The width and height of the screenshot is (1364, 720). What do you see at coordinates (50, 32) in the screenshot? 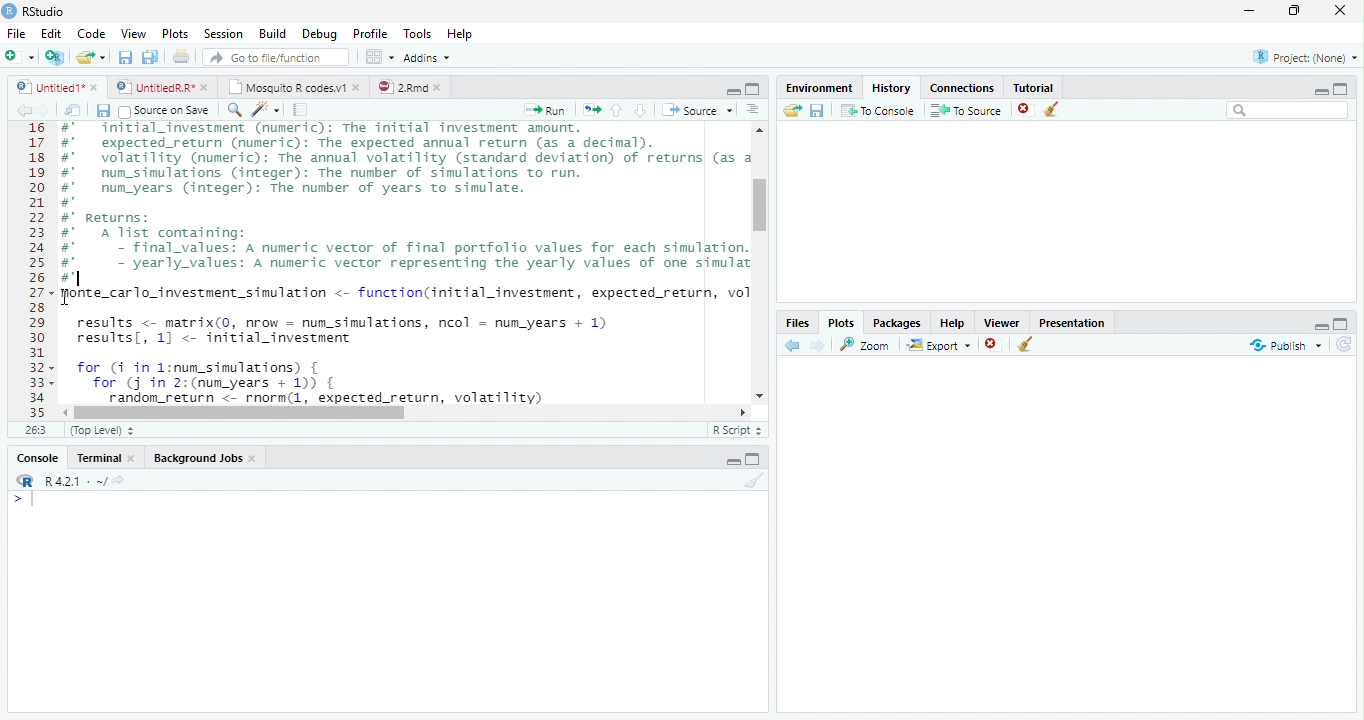
I see `Edit` at bounding box center [50, 32].